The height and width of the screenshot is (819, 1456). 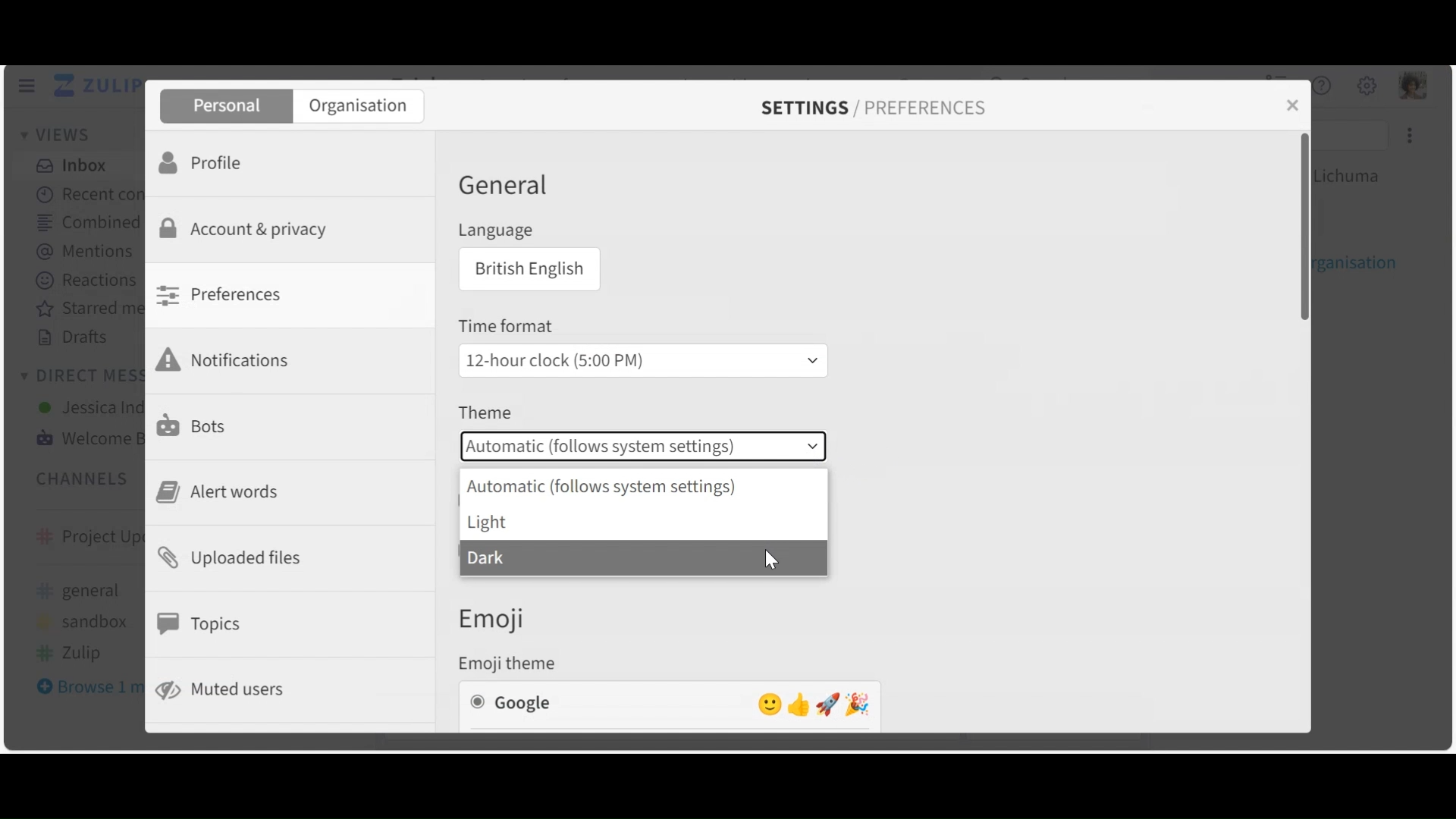 What do you see at coordinates (234, 561) in the screenshot?
I see `Uploaded Files` at bounding box center [234, 561].